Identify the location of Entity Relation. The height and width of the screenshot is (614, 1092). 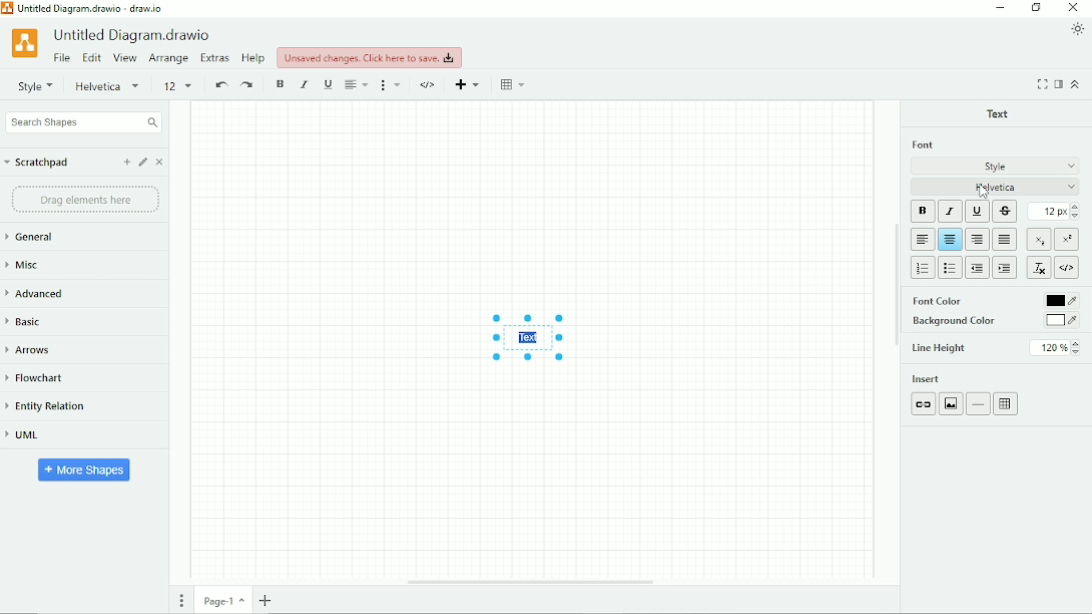
(46, 407).